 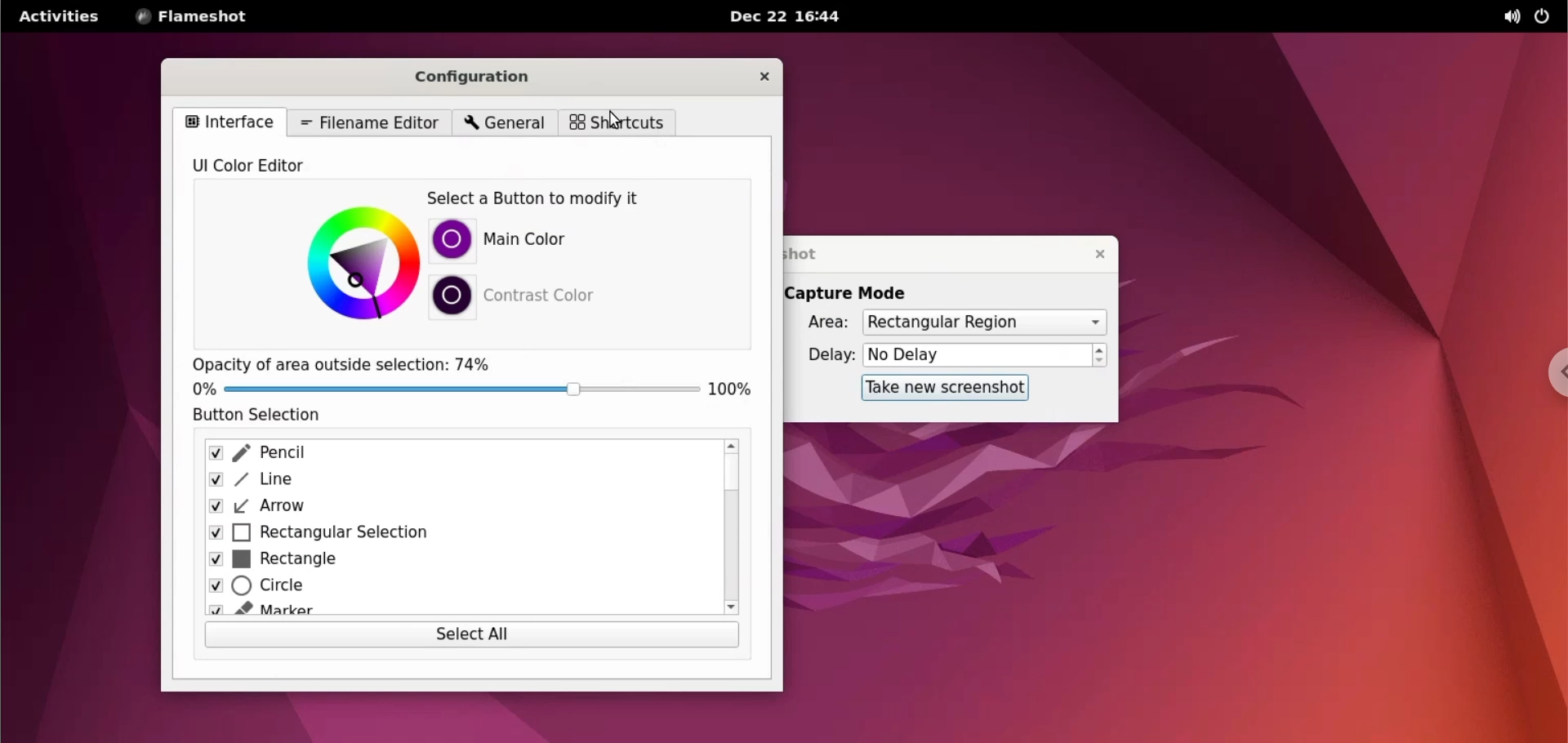 I want to click on capture mode, so click(x=862, y=292).